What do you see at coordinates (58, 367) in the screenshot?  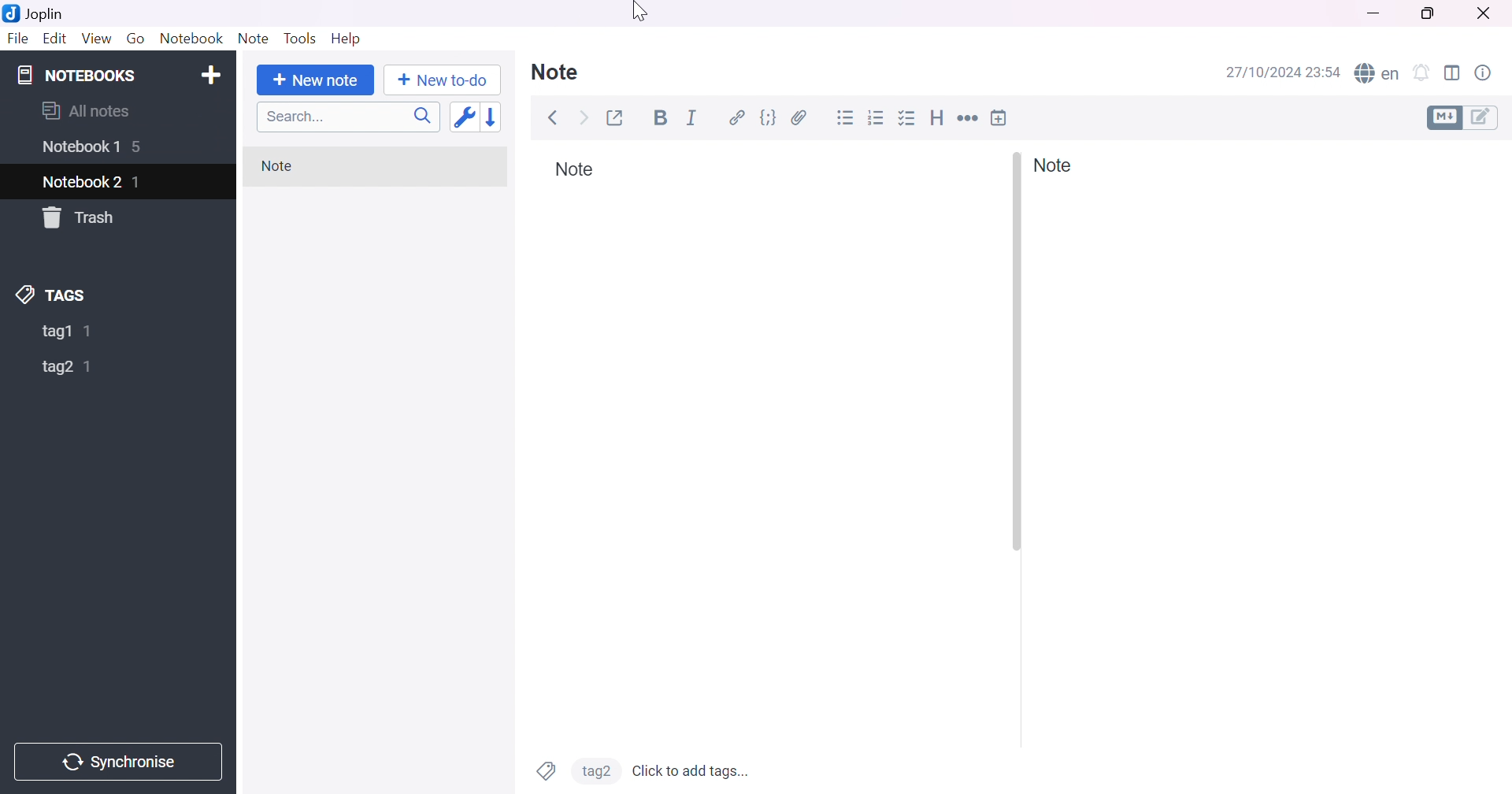 I see `tag2` at bounding box center [58, 367].